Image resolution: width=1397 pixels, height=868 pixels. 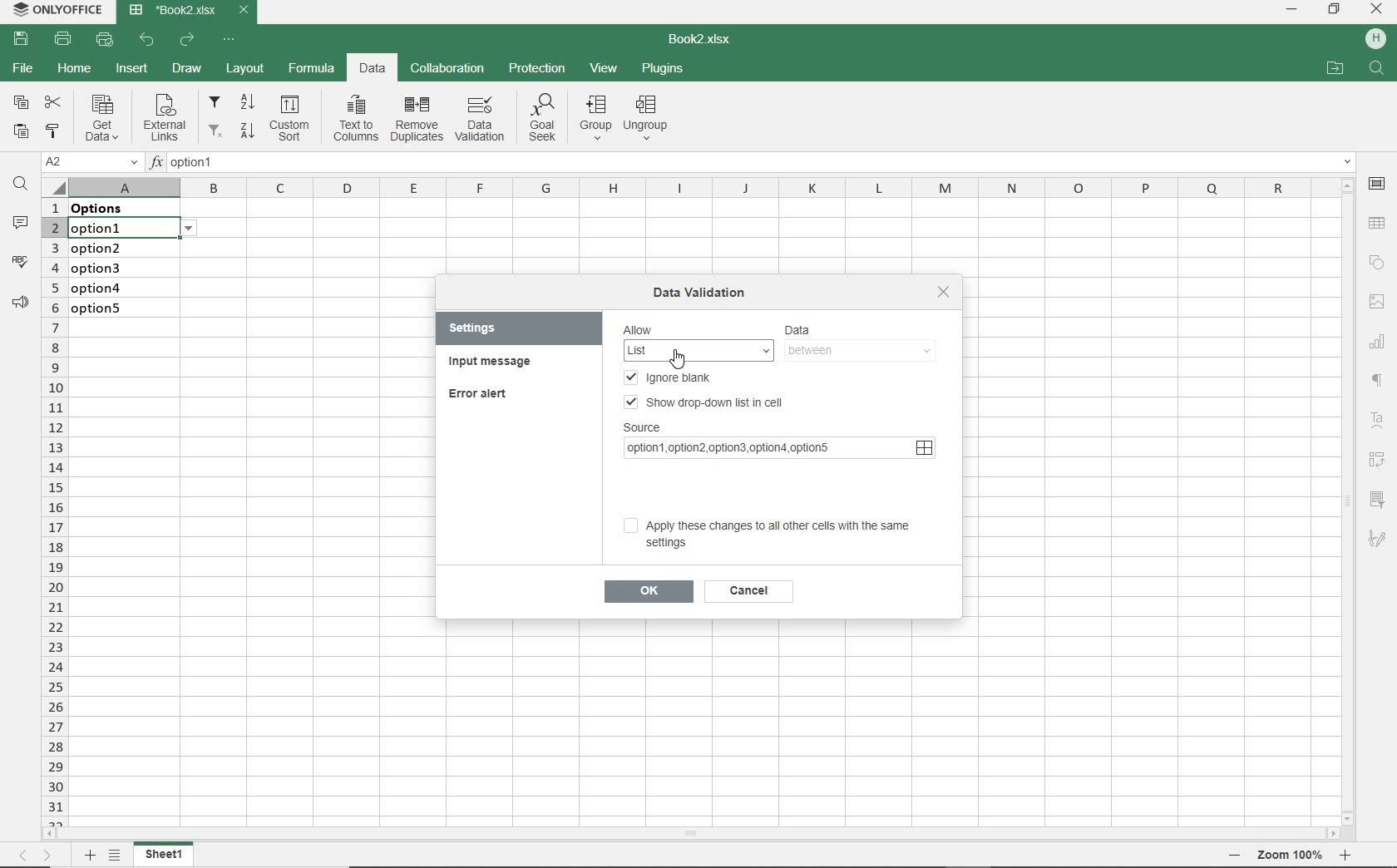 What do you see at coordinates (232, 129) in the screenshot?
I see `filter from Z to A` at bounding box center [232, 129].